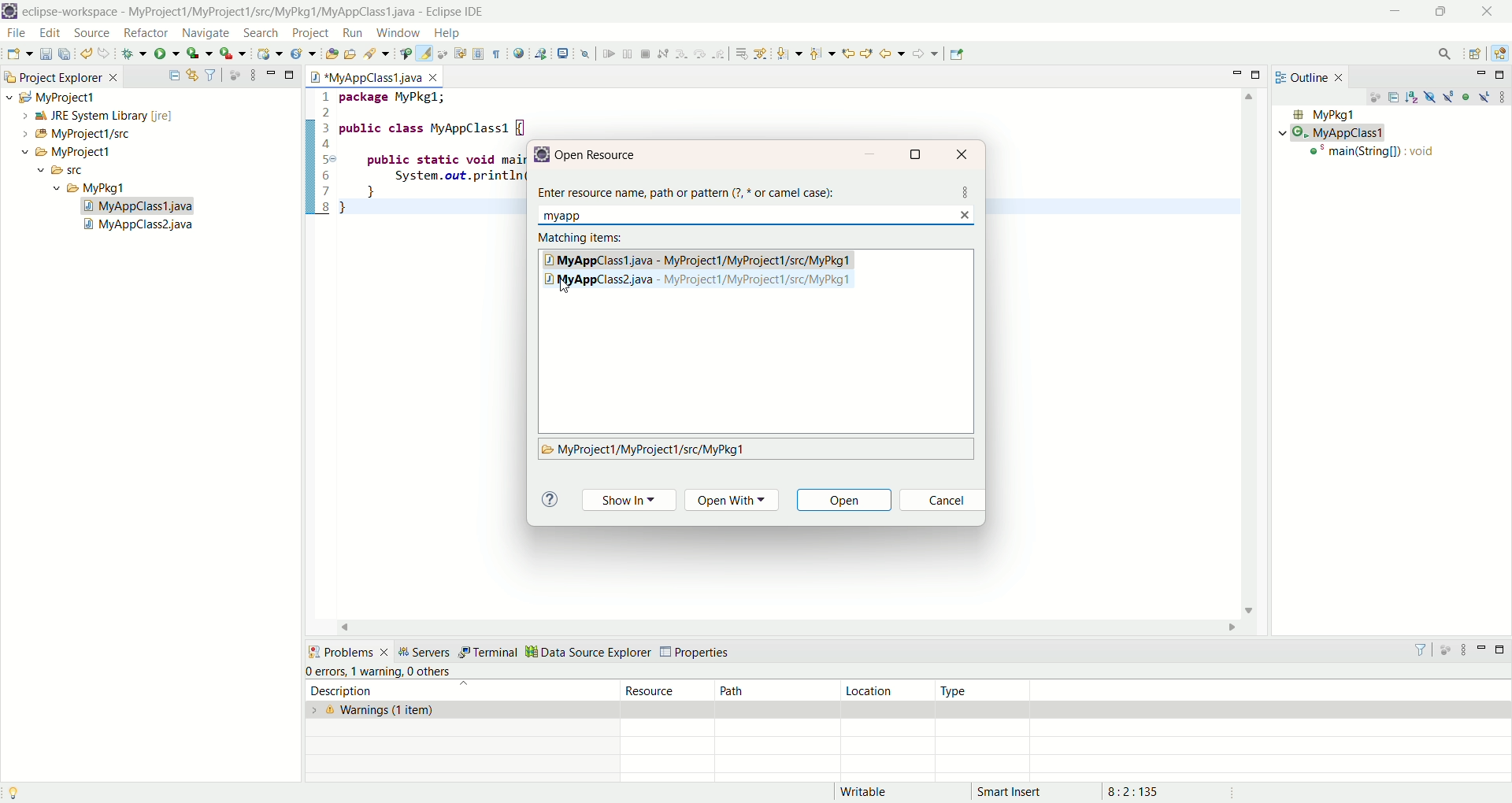  What do you see at coordinates (20, 35) in the screenshot?
I see `file` at bounding box center [20, 35].